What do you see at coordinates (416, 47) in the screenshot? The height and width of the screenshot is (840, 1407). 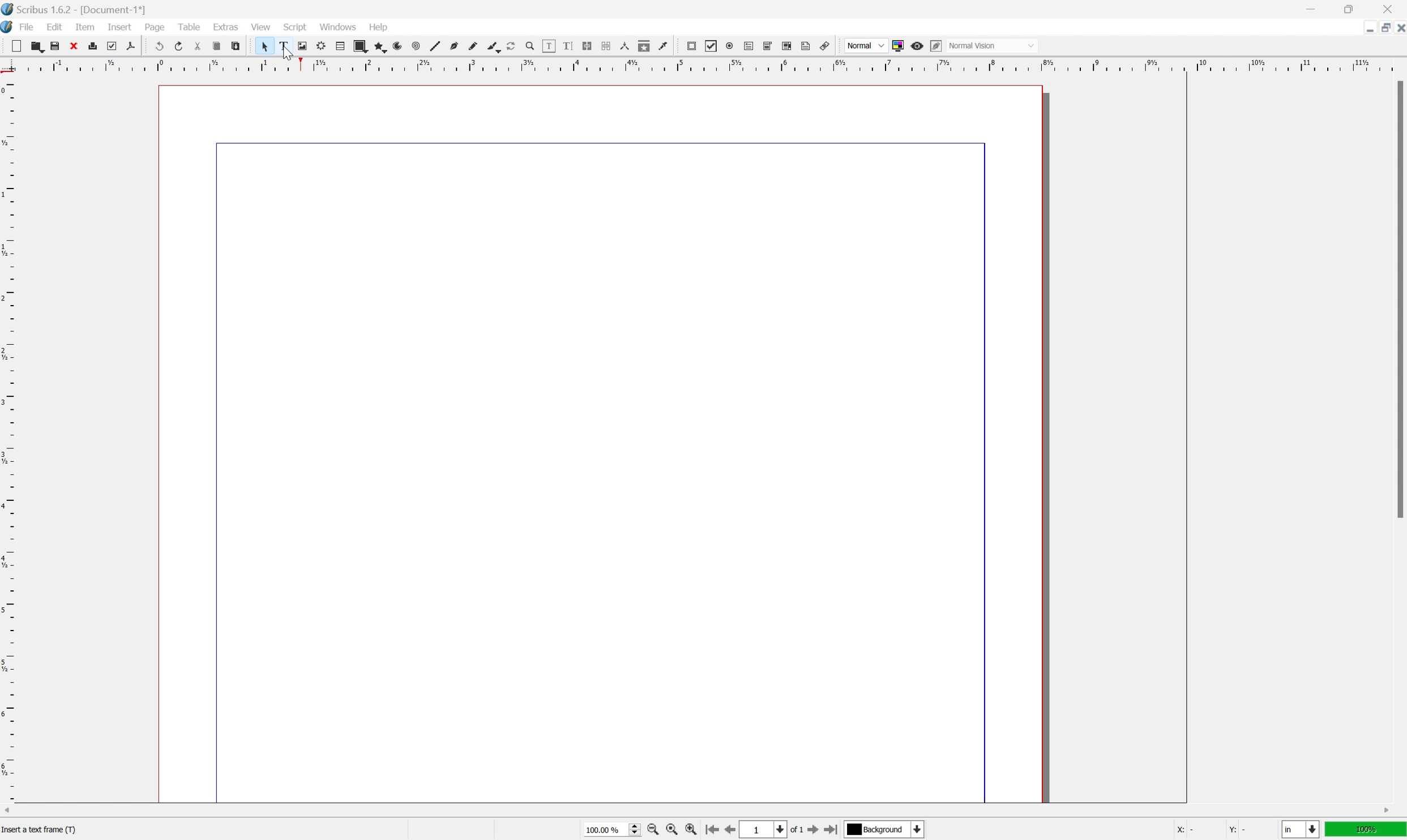 I see `spiral` at bounding box center [416, 47].